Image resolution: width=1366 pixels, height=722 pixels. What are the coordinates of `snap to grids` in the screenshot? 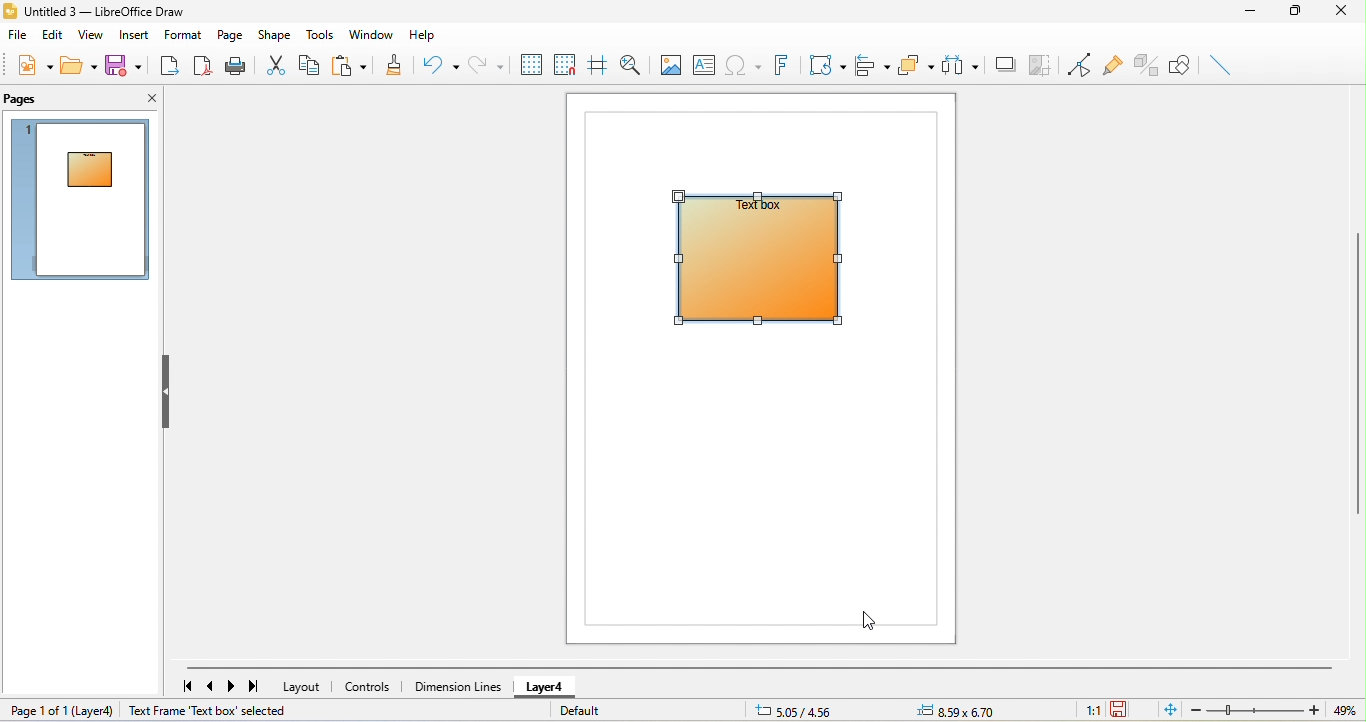 It's located at (568, 64).